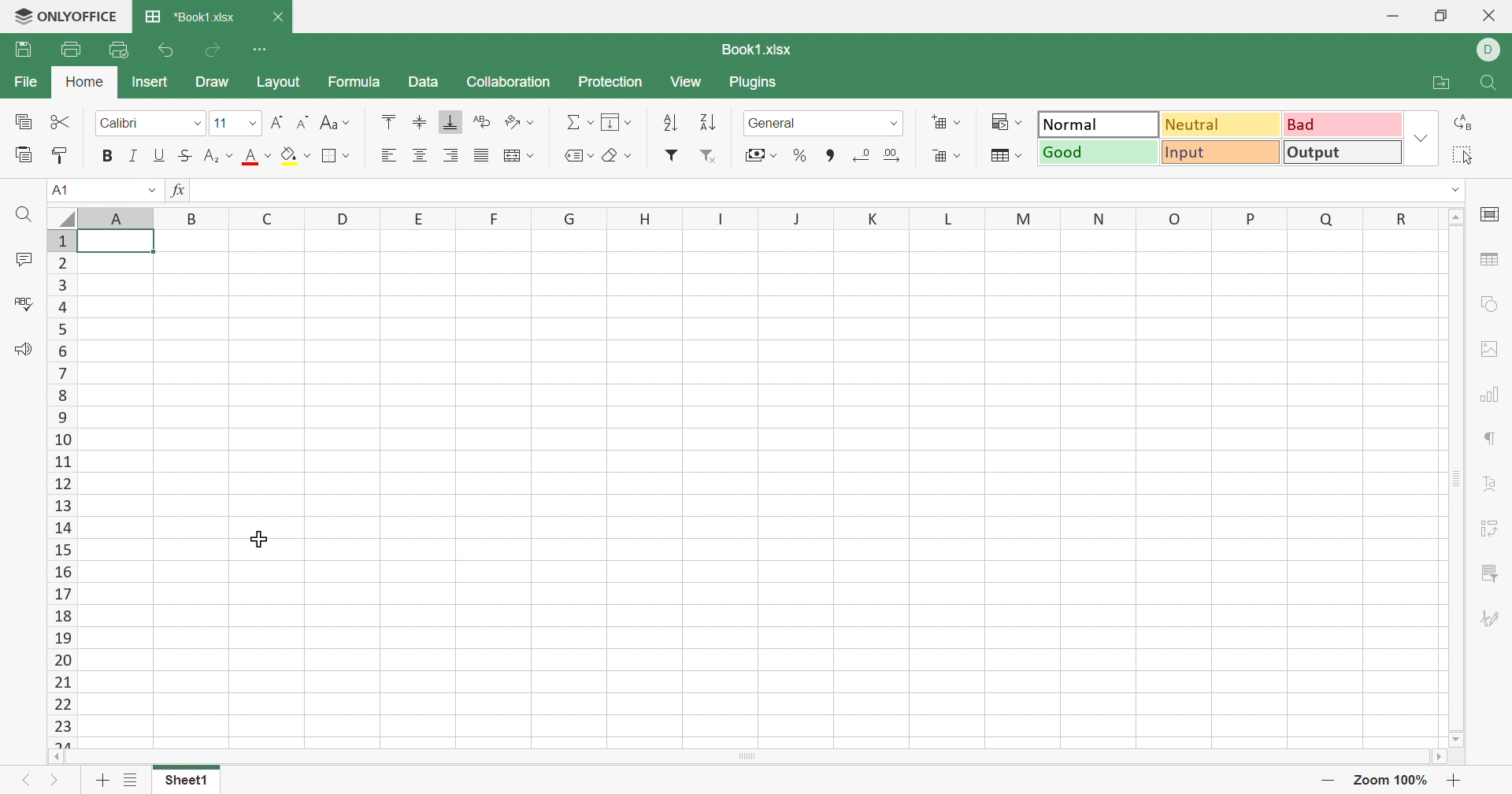 The width and height of the screenshot is (1512, 794). Describe the element at coordinates (325, 122) in the screenshot. I see `Change case` at that location.